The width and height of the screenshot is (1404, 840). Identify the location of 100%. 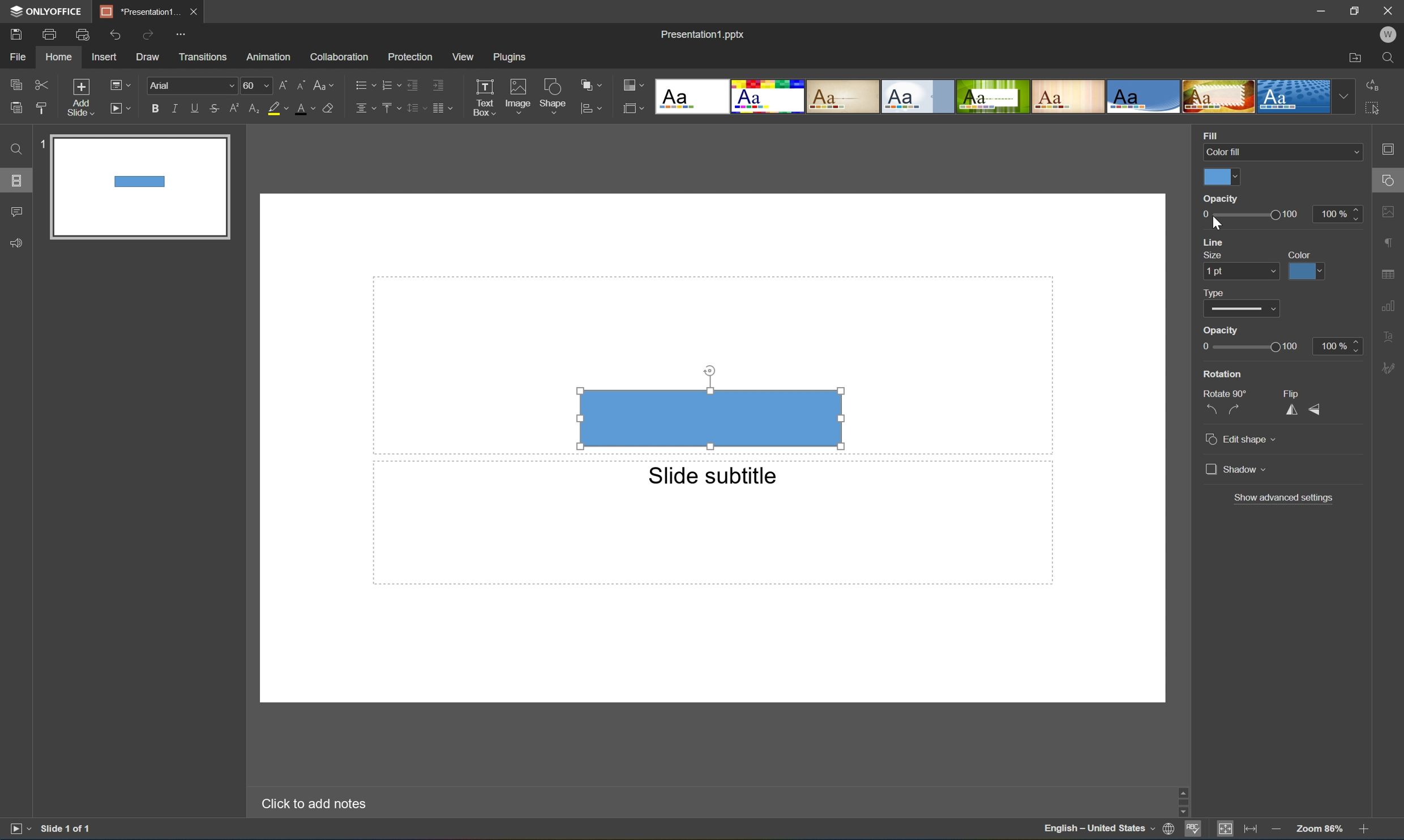
(1340, 214).